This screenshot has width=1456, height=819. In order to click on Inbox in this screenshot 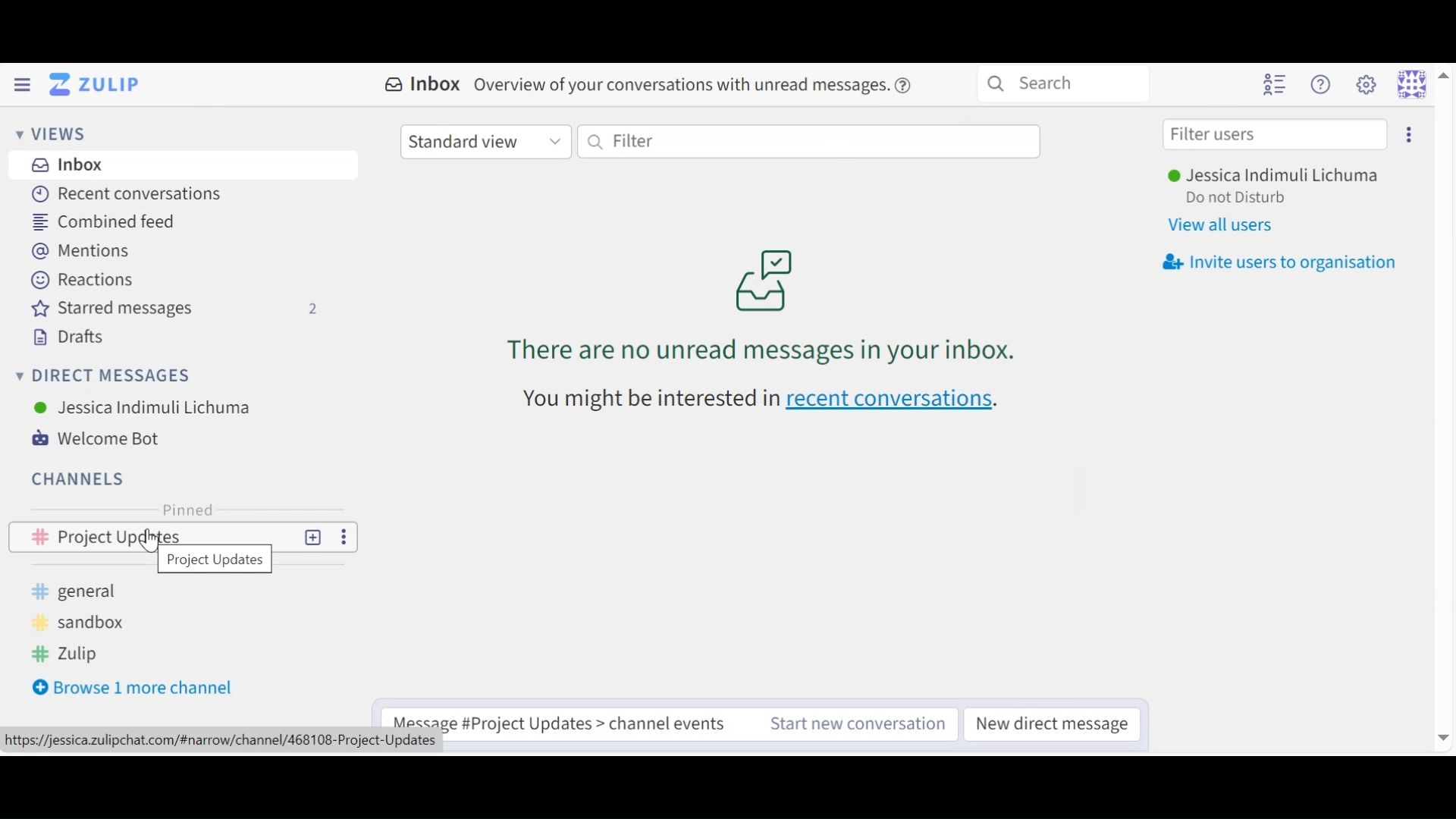, I will do `click(418, 84)`.